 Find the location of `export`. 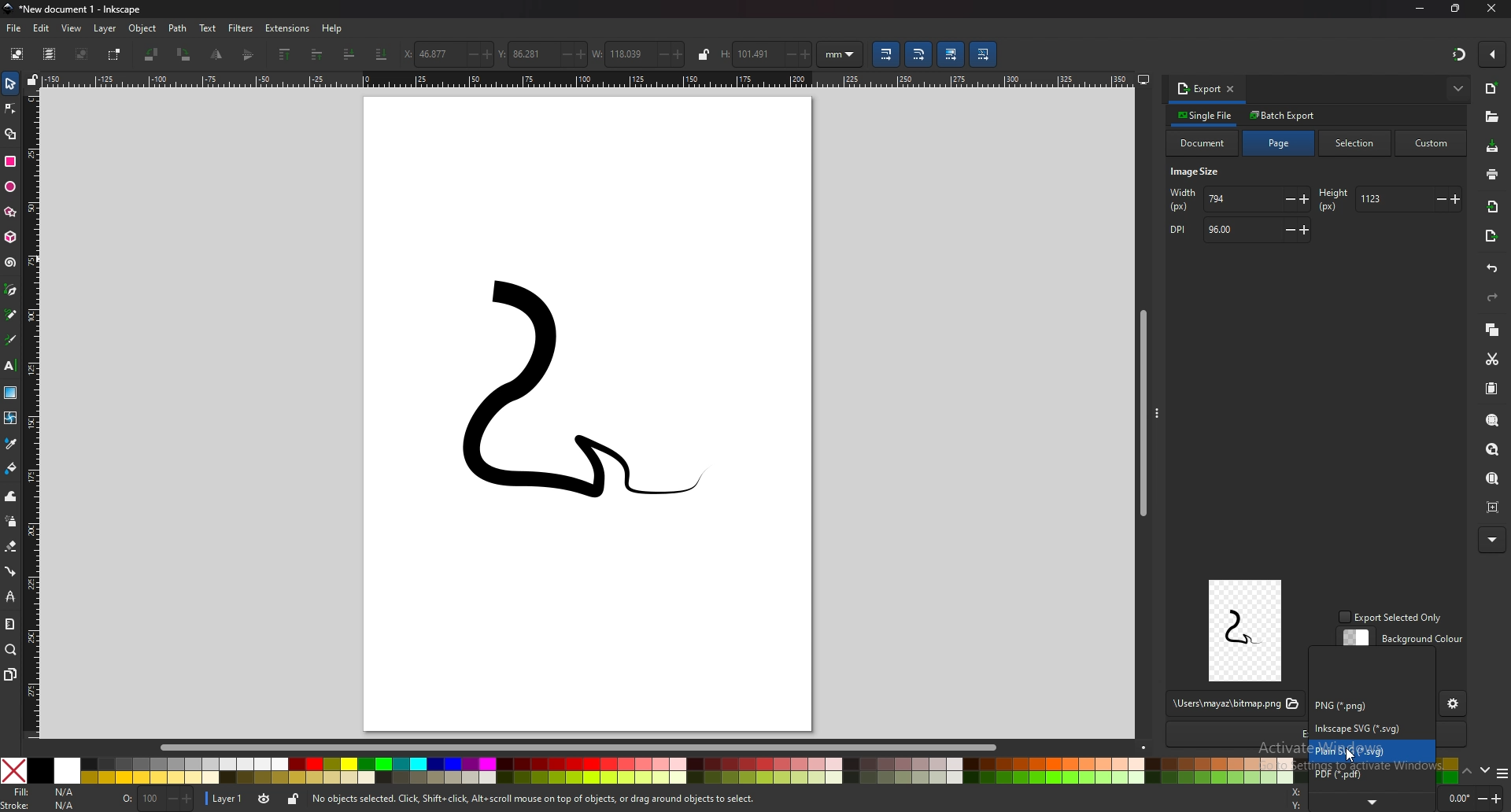

export is located at coordinates (1199, 88).